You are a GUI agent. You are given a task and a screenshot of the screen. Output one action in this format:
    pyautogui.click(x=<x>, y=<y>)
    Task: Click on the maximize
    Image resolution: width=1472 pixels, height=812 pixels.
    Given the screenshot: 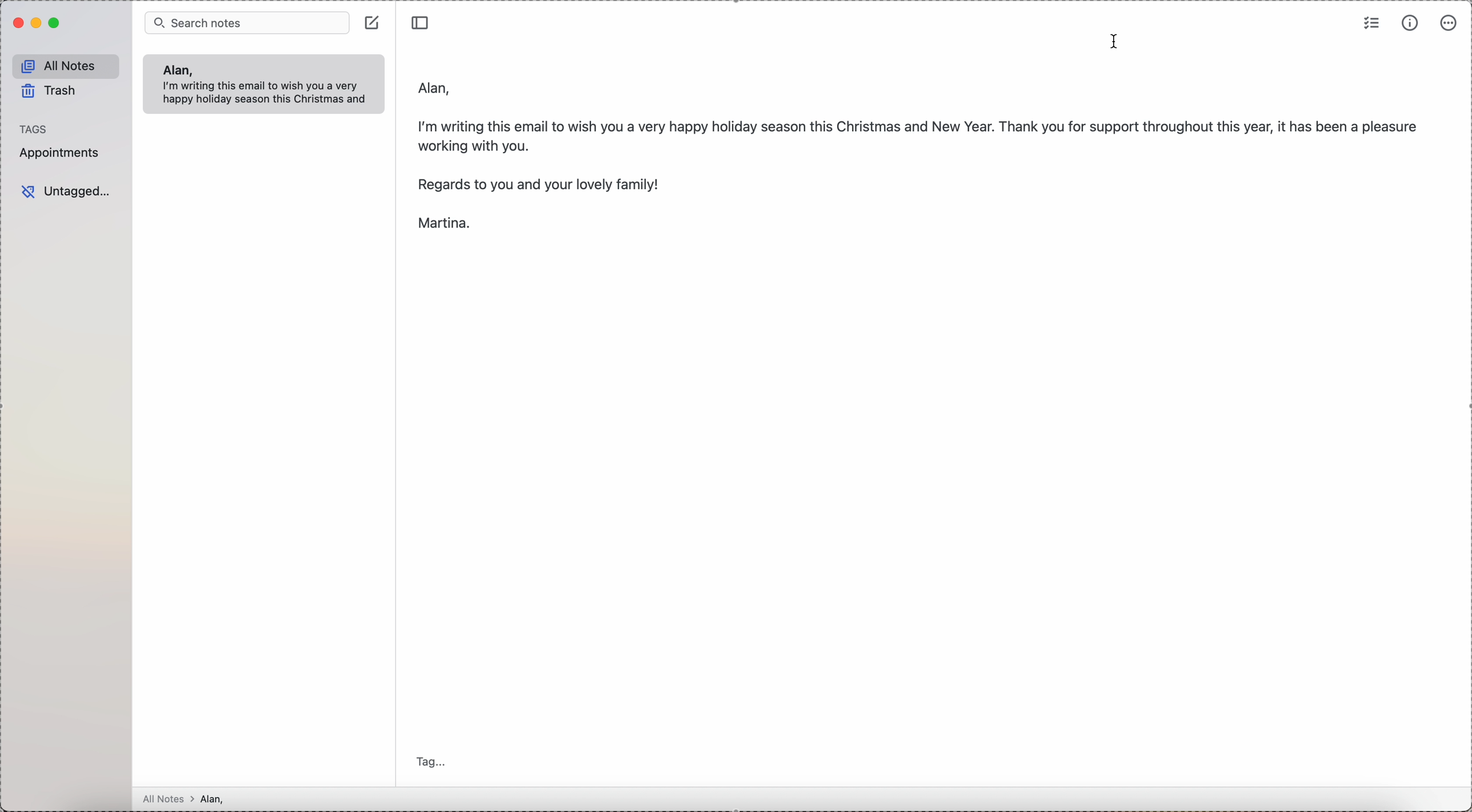 What is the action you would take?
    pyautogui.click(x=56, y=23)
    